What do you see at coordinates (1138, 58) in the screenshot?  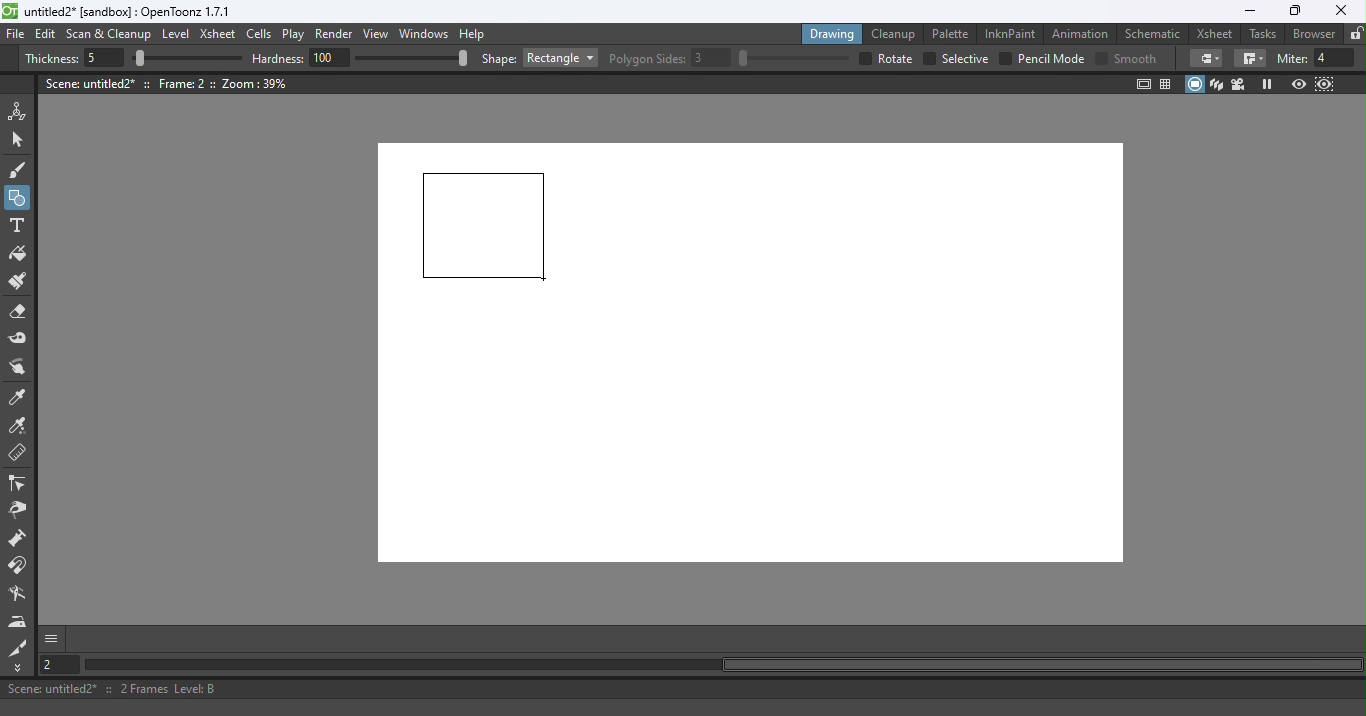 I see `smooth` at bounding box center [1138, 58].